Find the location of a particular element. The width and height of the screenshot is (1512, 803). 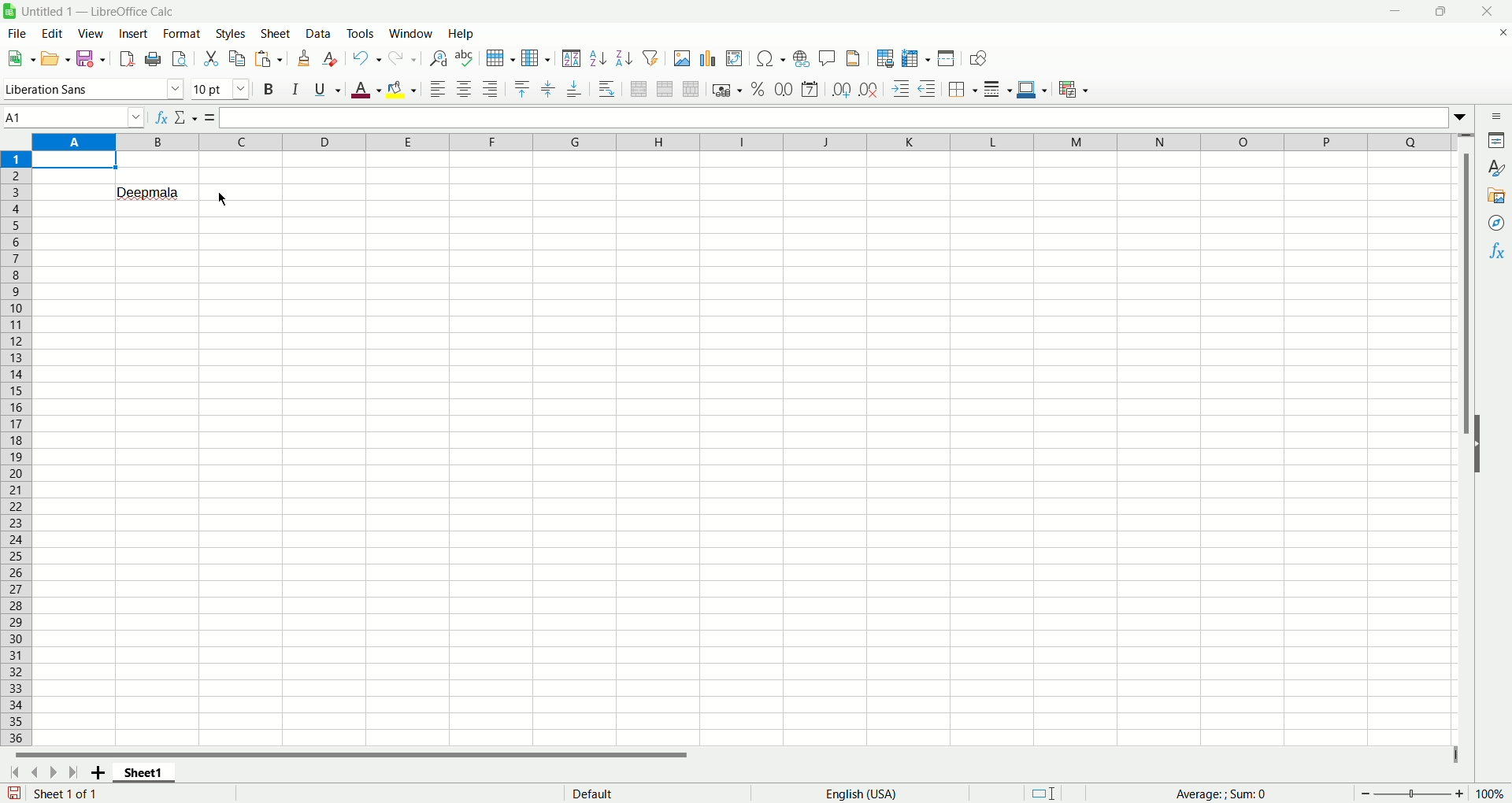

Zoom in is located at coordinates (1459, 794).